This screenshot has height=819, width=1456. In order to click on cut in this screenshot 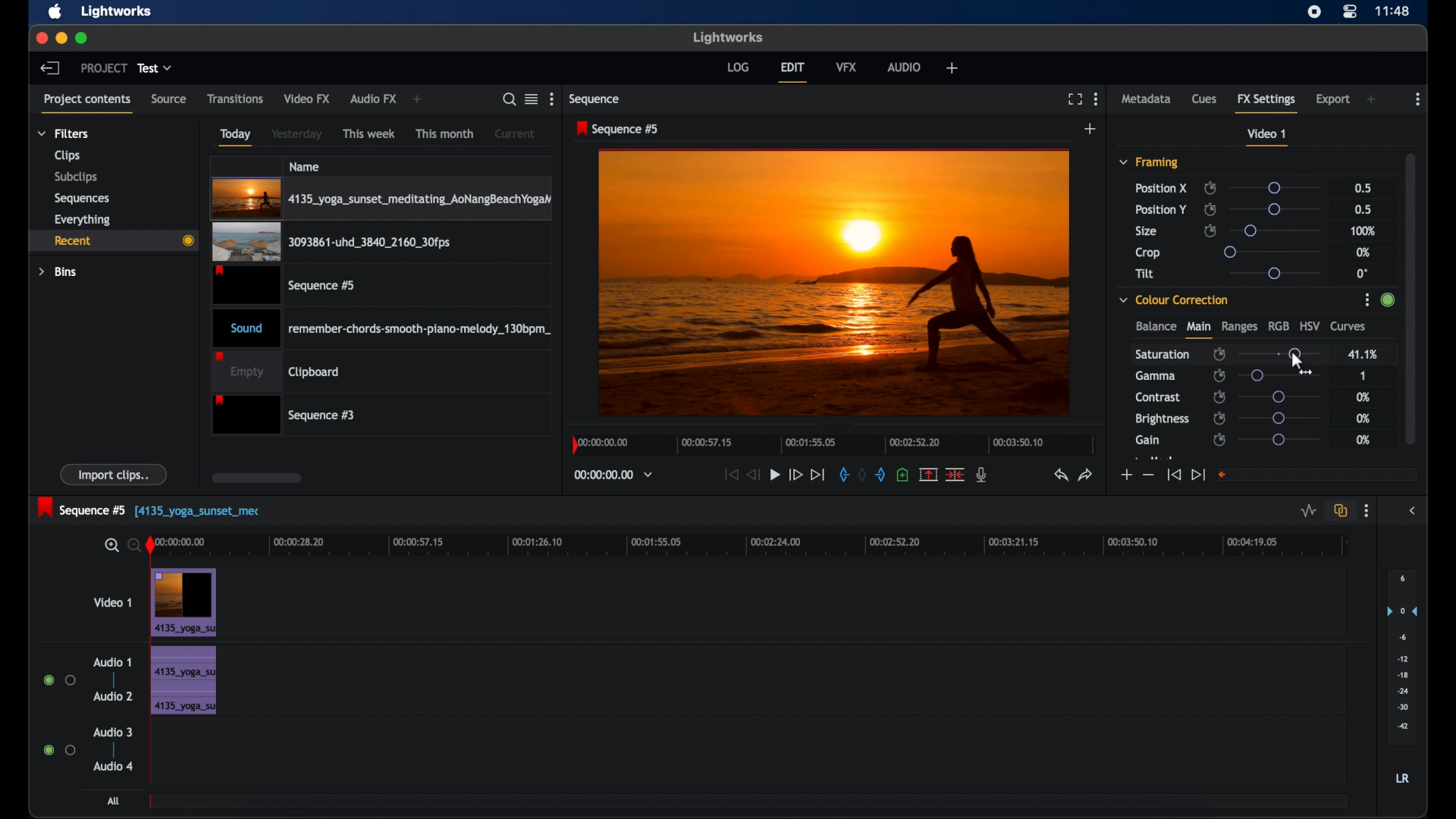, I will do `click(955, 474)`.